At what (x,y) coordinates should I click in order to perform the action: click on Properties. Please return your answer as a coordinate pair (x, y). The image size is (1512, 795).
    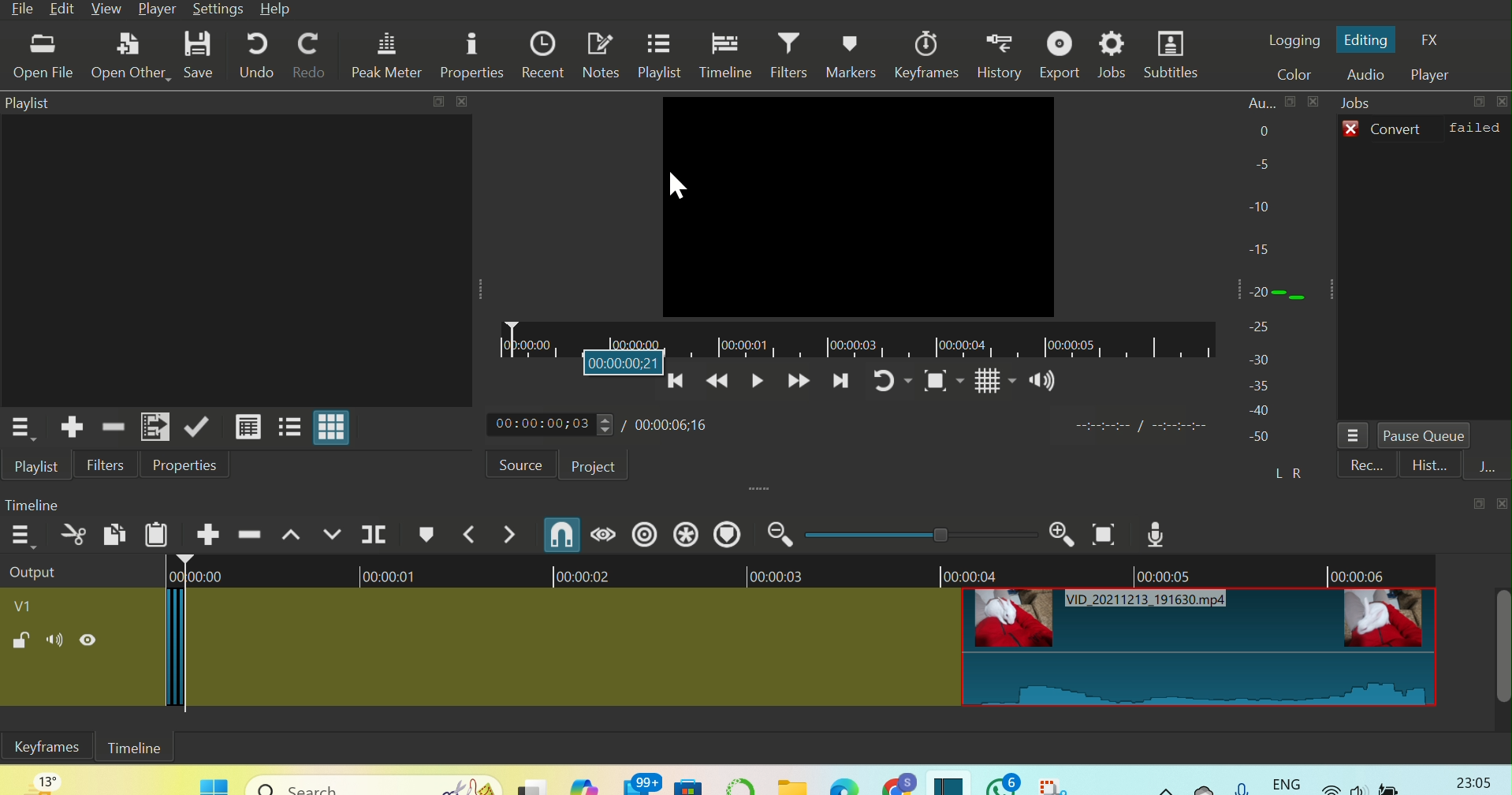
    Looking at the image, I should click on (190, 465).